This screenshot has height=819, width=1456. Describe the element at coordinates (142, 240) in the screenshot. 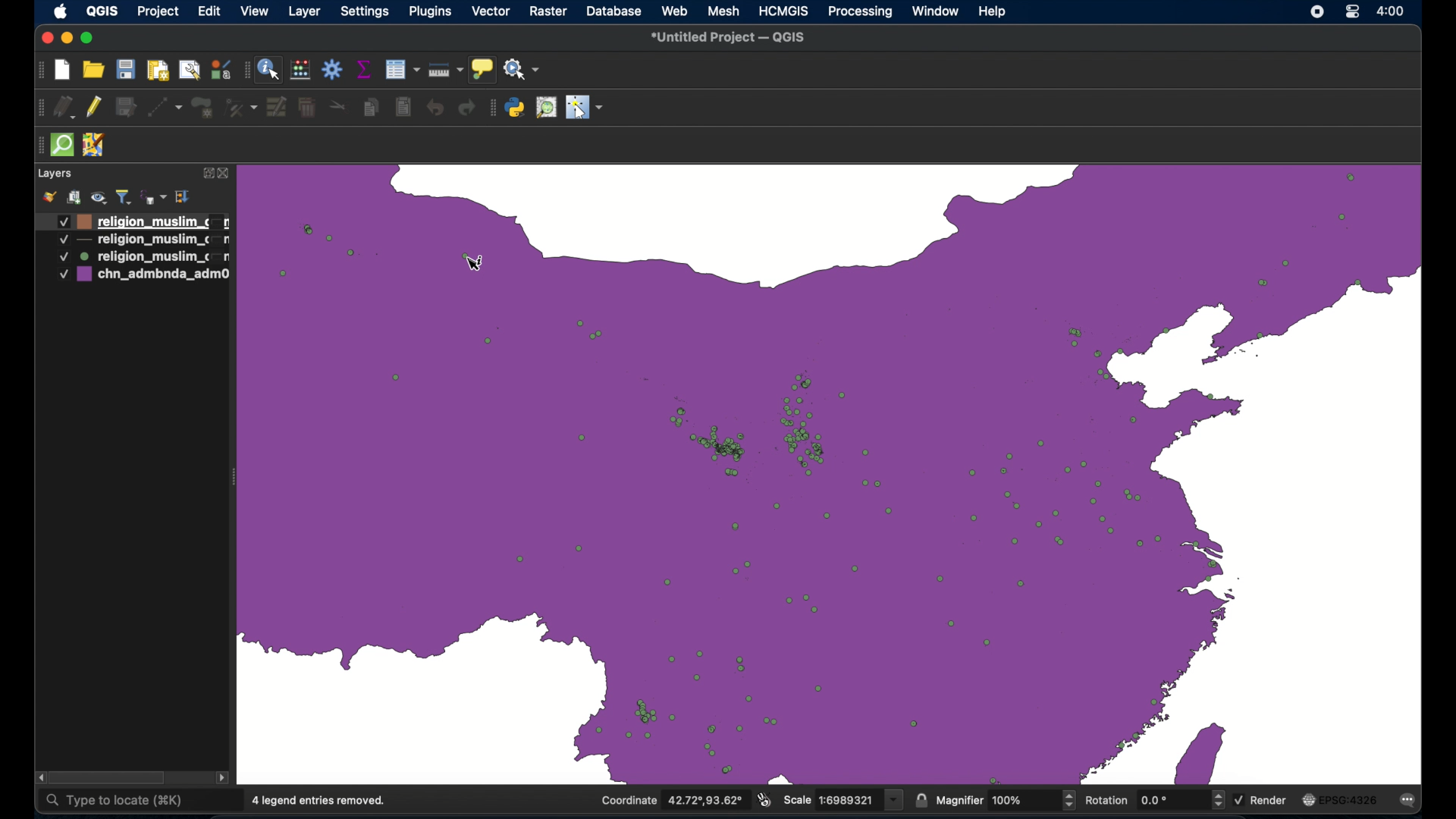

I see `layer 2` at that location.